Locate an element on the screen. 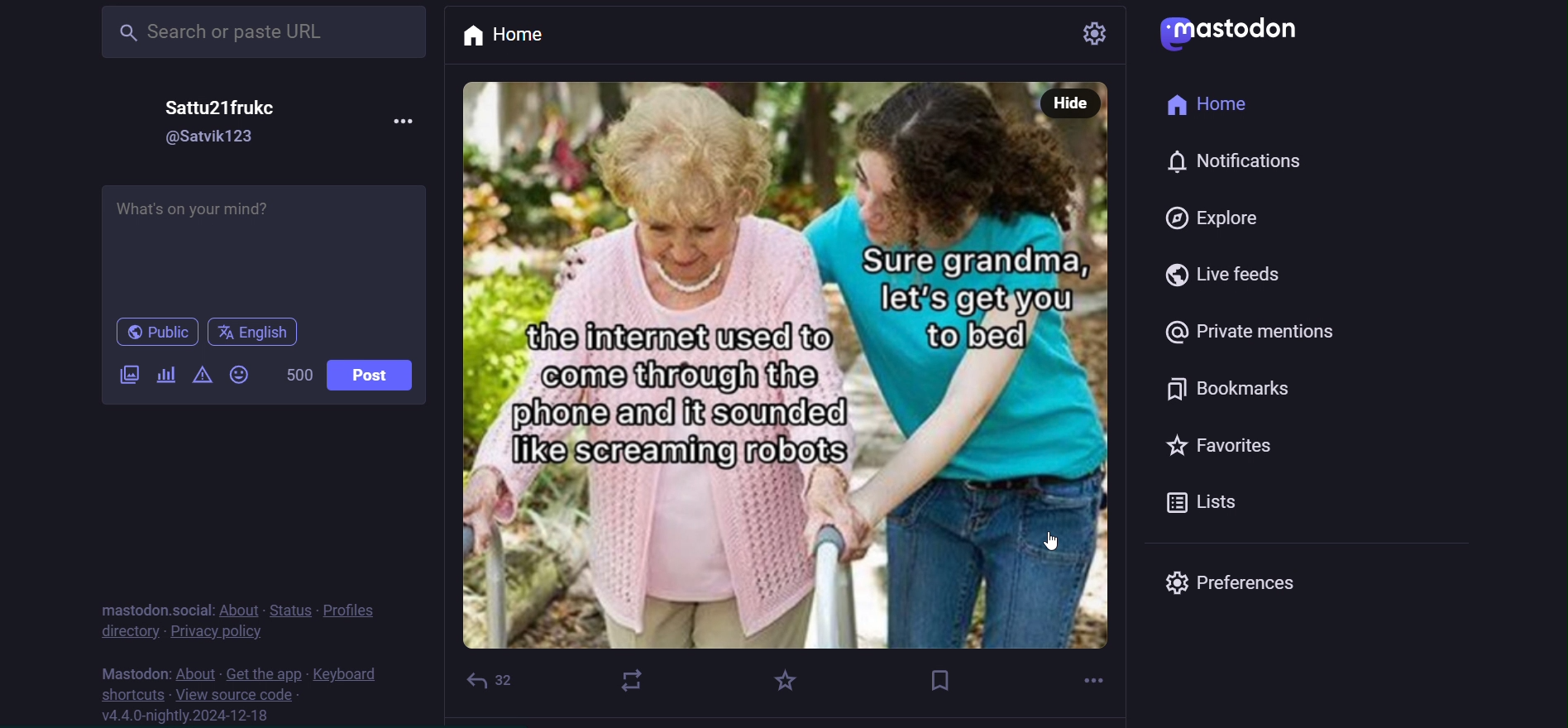  content warning is located at coordinates (201, 375).